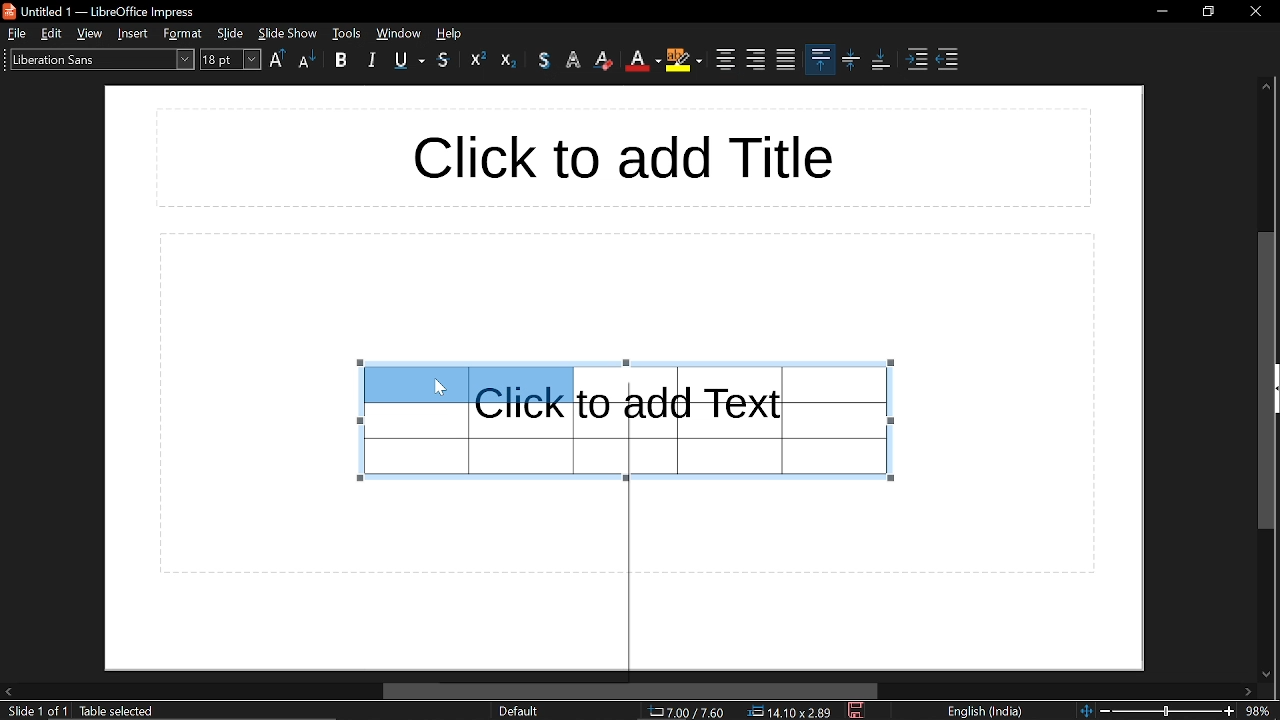  Describe the element at coordinates (1275, 389) in the screenshot. I see `expand sidebar` at that location.